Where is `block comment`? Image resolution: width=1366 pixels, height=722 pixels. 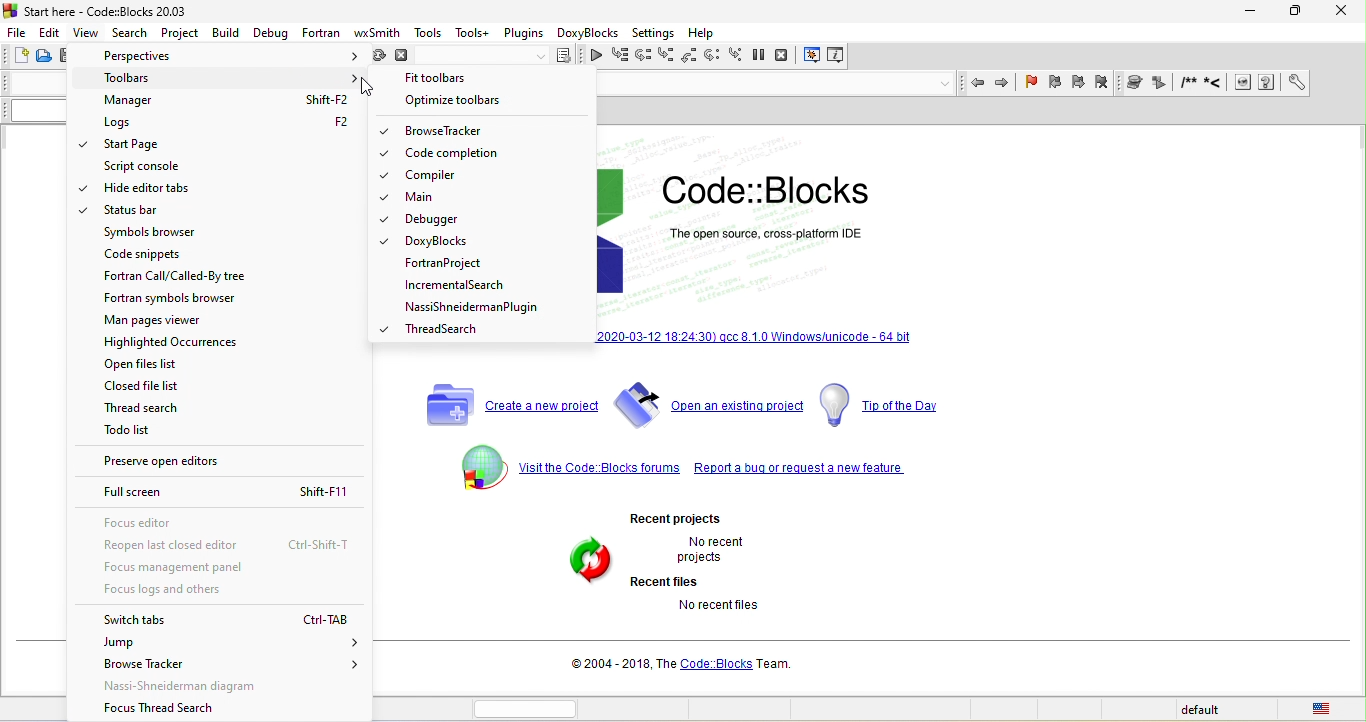 block comment is located at coordinates (1189, 85).